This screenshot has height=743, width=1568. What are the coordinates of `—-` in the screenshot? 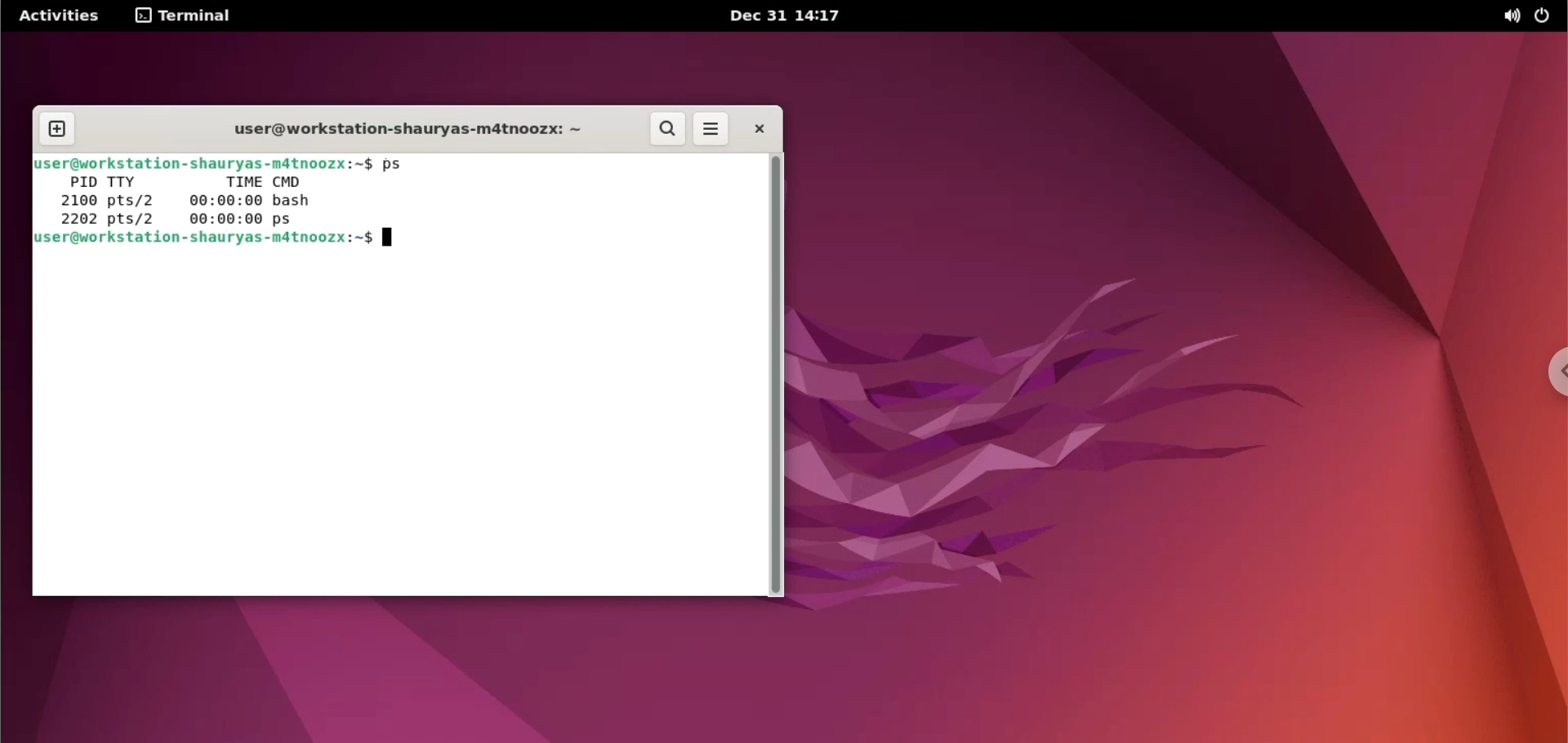 It's located at (73, 217).